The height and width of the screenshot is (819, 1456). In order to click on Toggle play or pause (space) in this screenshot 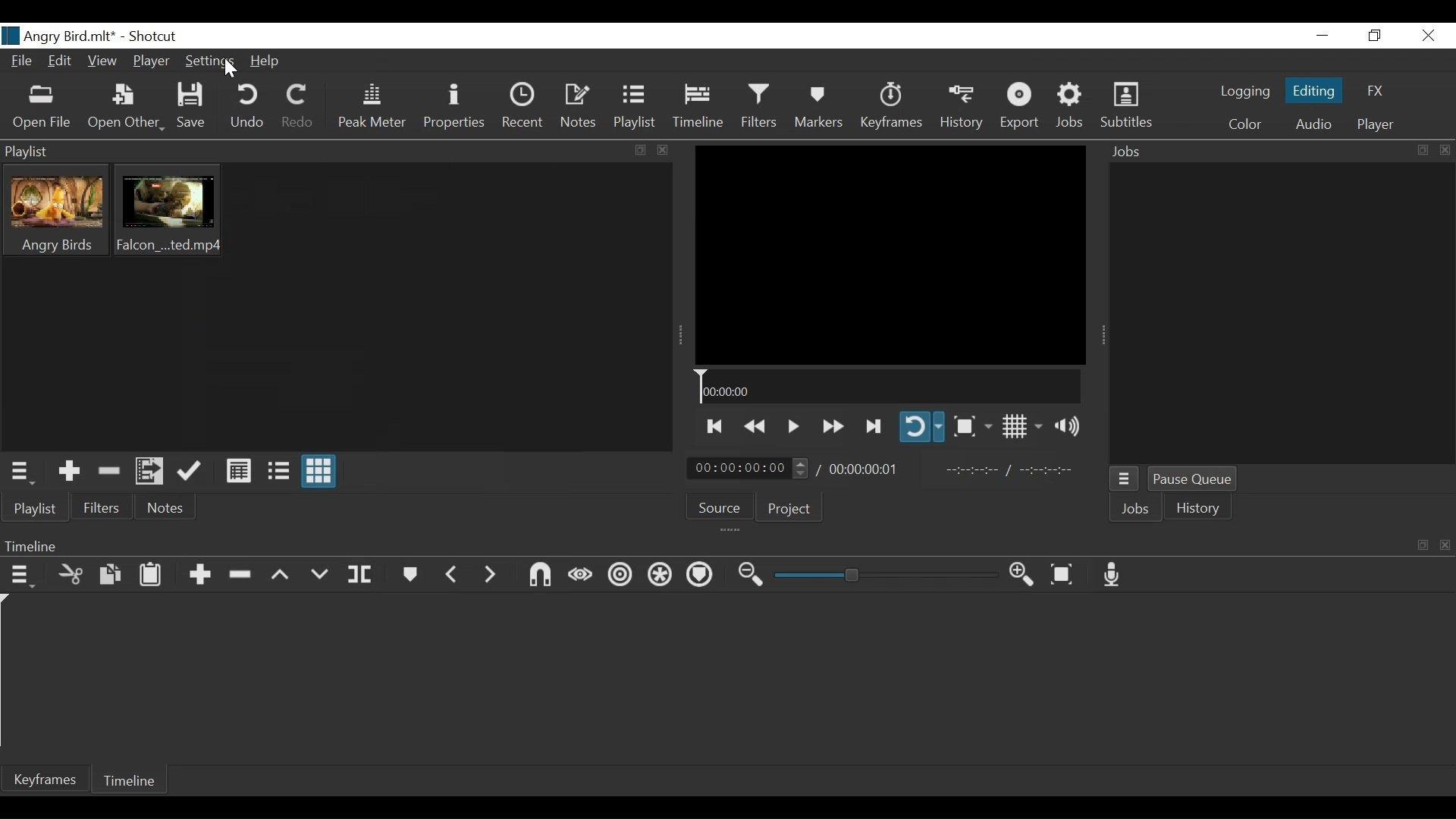, I will do `click(792, 425)`.